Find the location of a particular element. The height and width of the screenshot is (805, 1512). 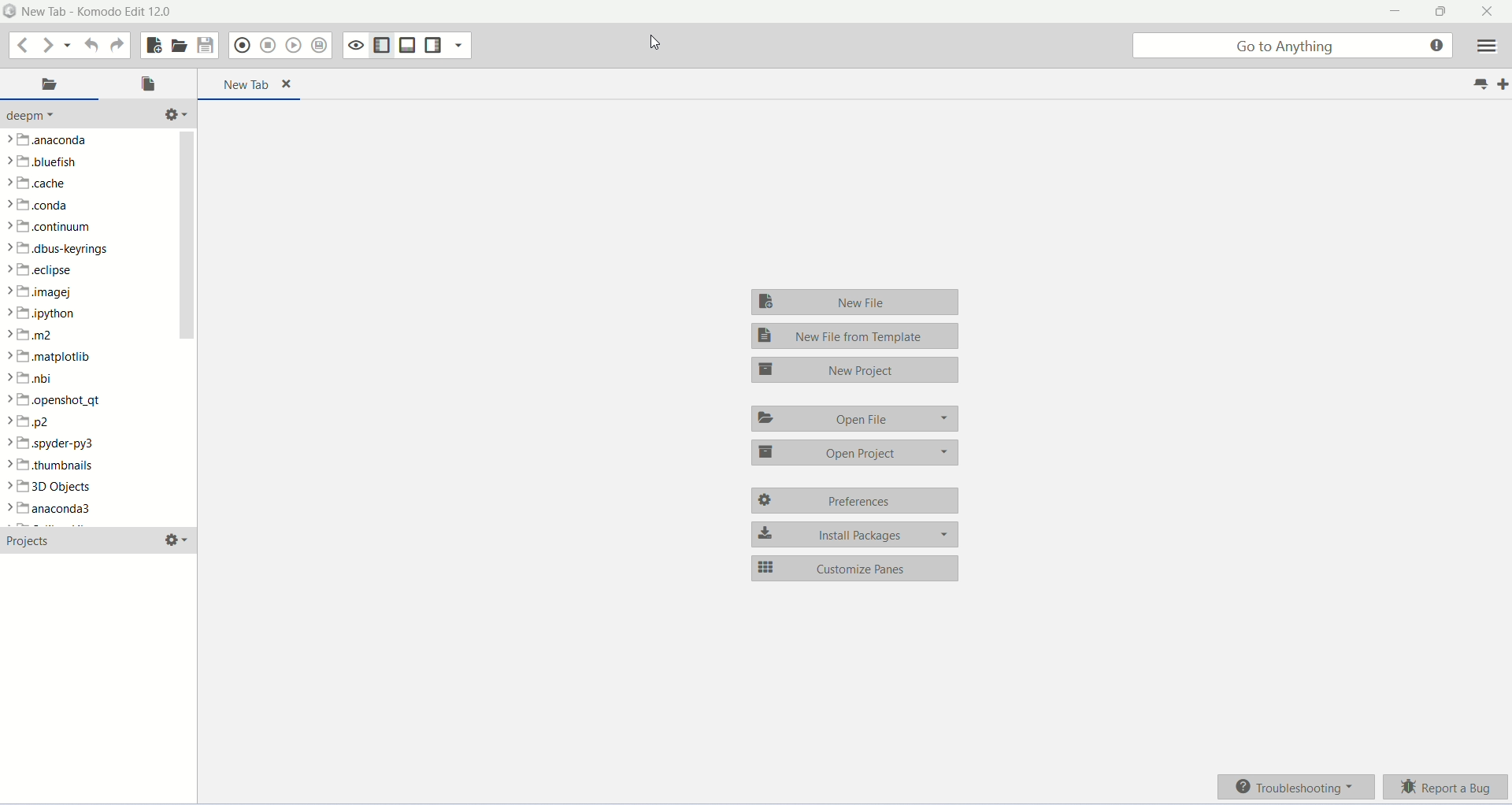

thumbnail is located at coordinates (50, 466).